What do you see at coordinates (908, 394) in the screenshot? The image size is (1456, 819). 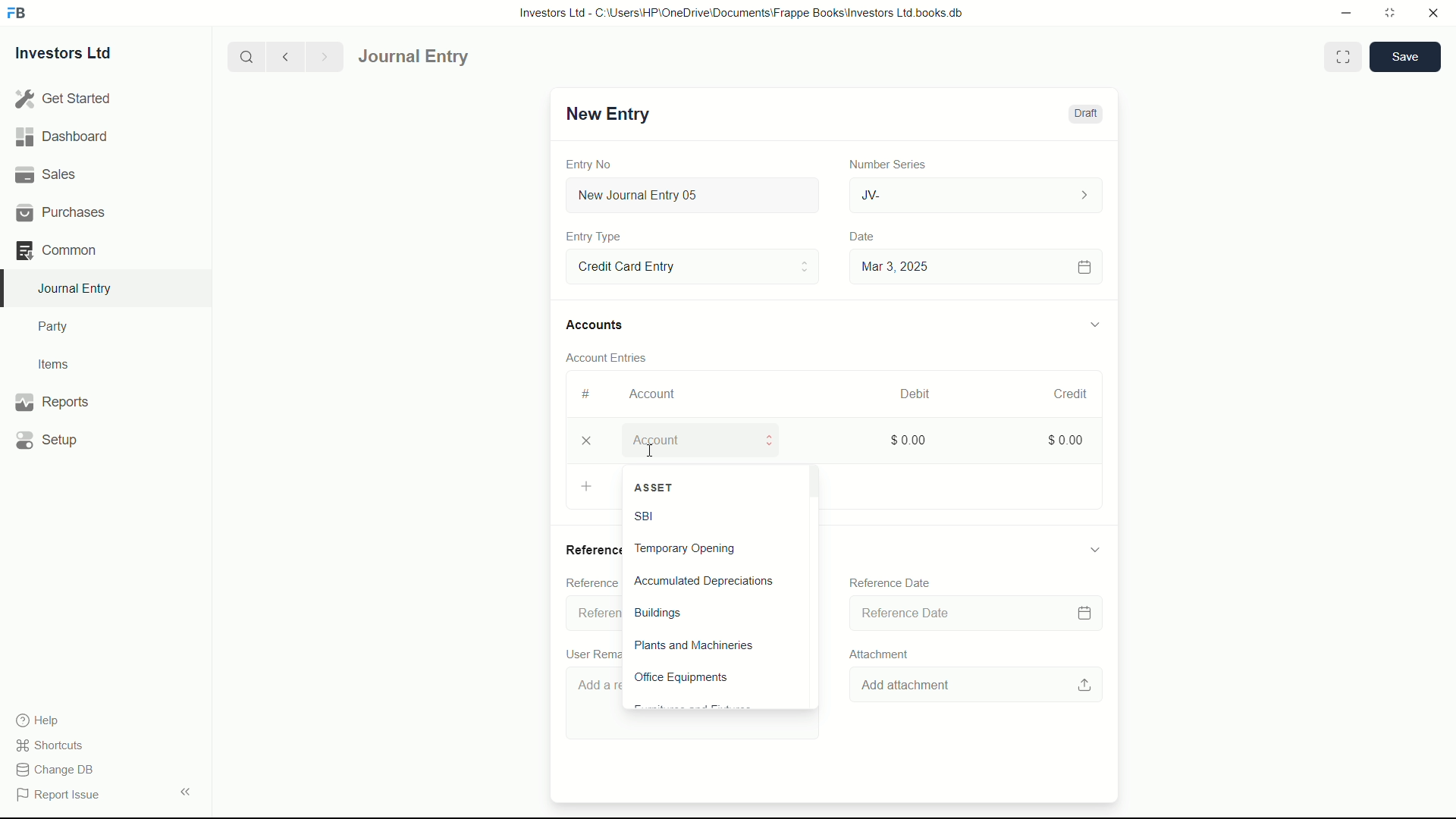 I see `Debit` at bounding box center [908, 394].